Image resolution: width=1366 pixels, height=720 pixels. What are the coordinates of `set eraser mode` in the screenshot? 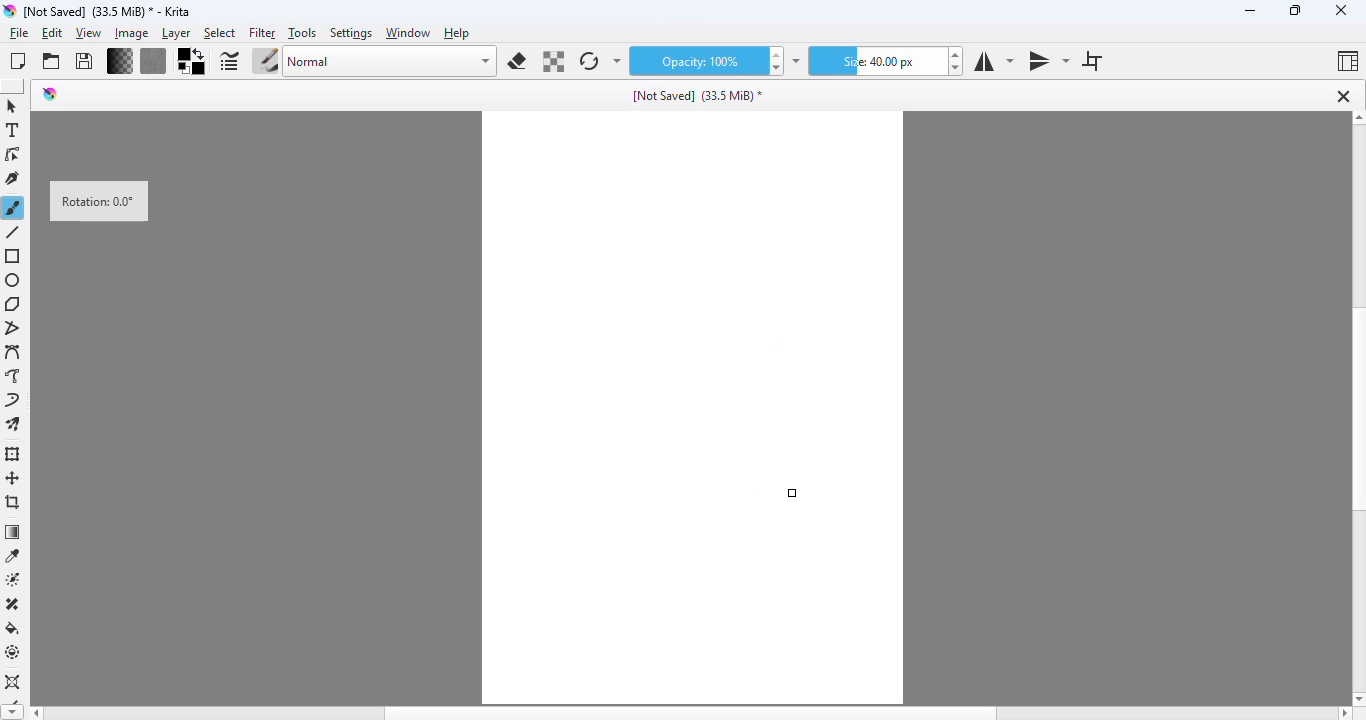 It's located at (517, 61).